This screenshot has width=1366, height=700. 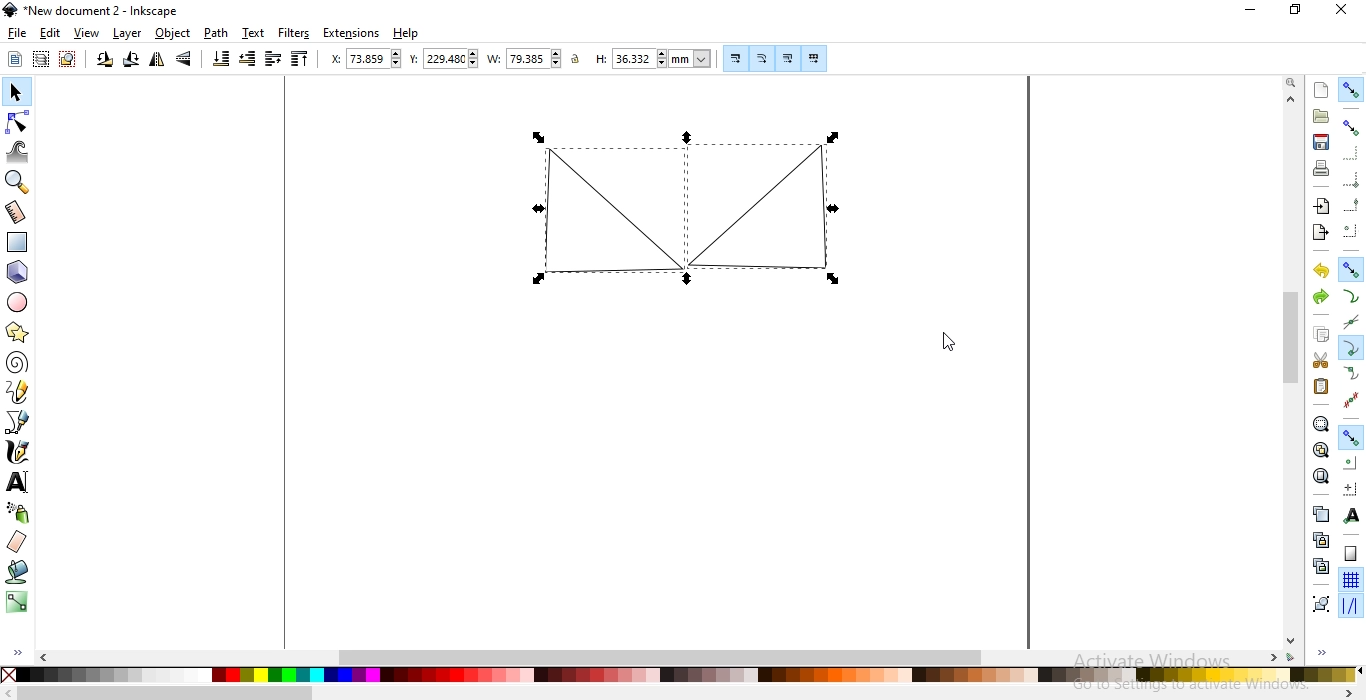 I want to click on fill bounded areas, so click(x=17, y=573).